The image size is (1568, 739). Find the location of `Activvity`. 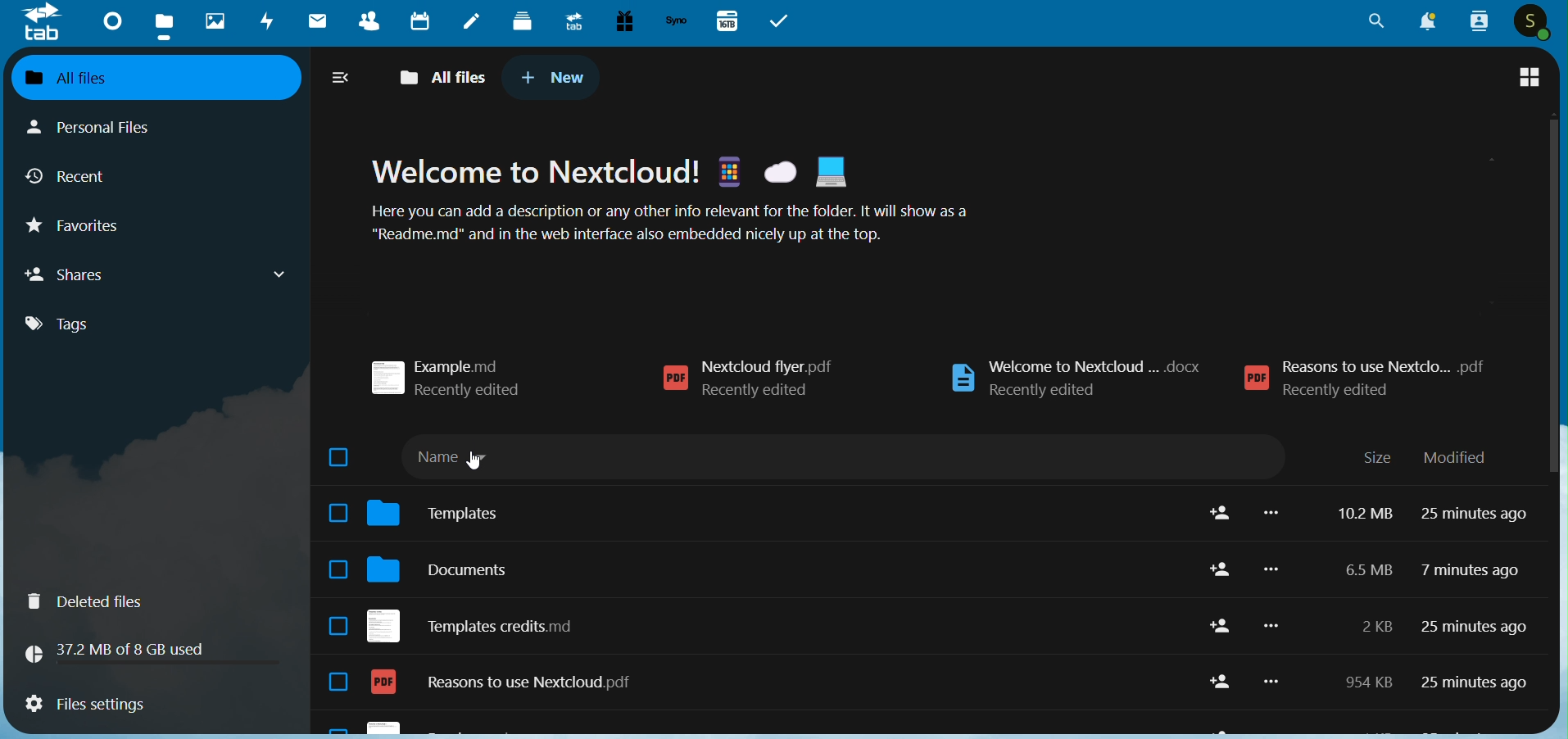

Activvity is located at coordinates (266, 21).